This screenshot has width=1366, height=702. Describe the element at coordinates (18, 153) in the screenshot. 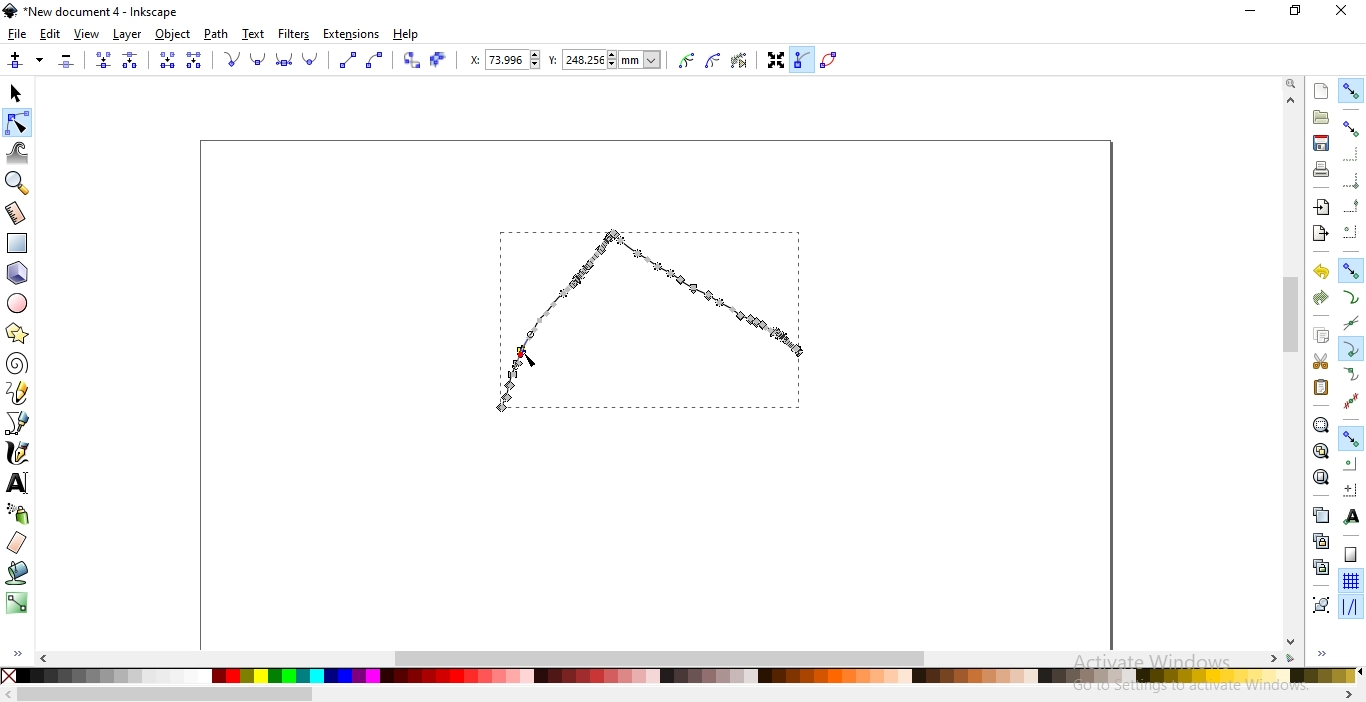

I see `tweak objects by sculpting or painting ` at that location.